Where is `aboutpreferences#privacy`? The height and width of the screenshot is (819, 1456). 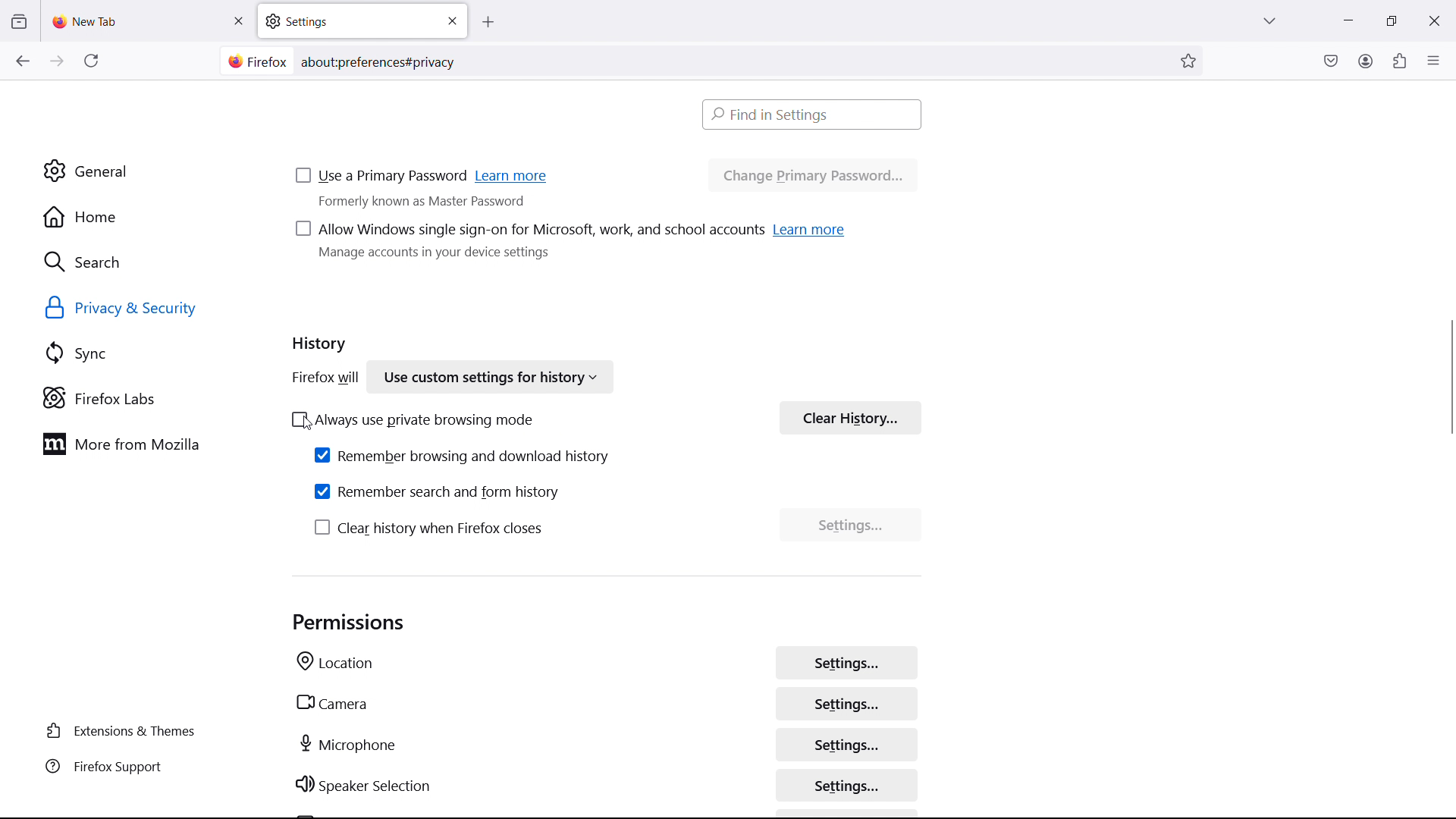
aboutpreferences#privacy is located at coordinates (384, 59).